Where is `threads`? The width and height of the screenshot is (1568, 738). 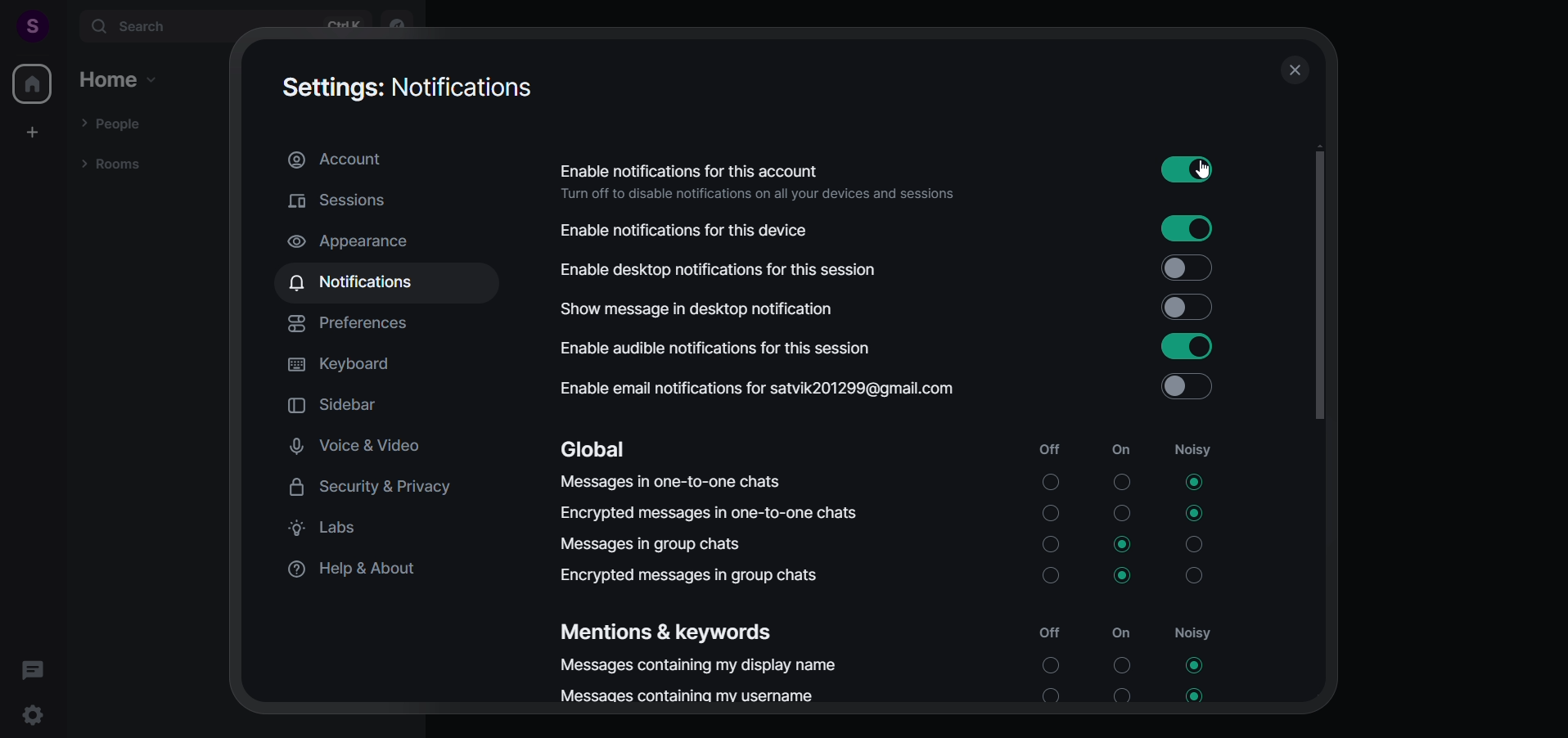 threads is located at coordinates (32, 664).